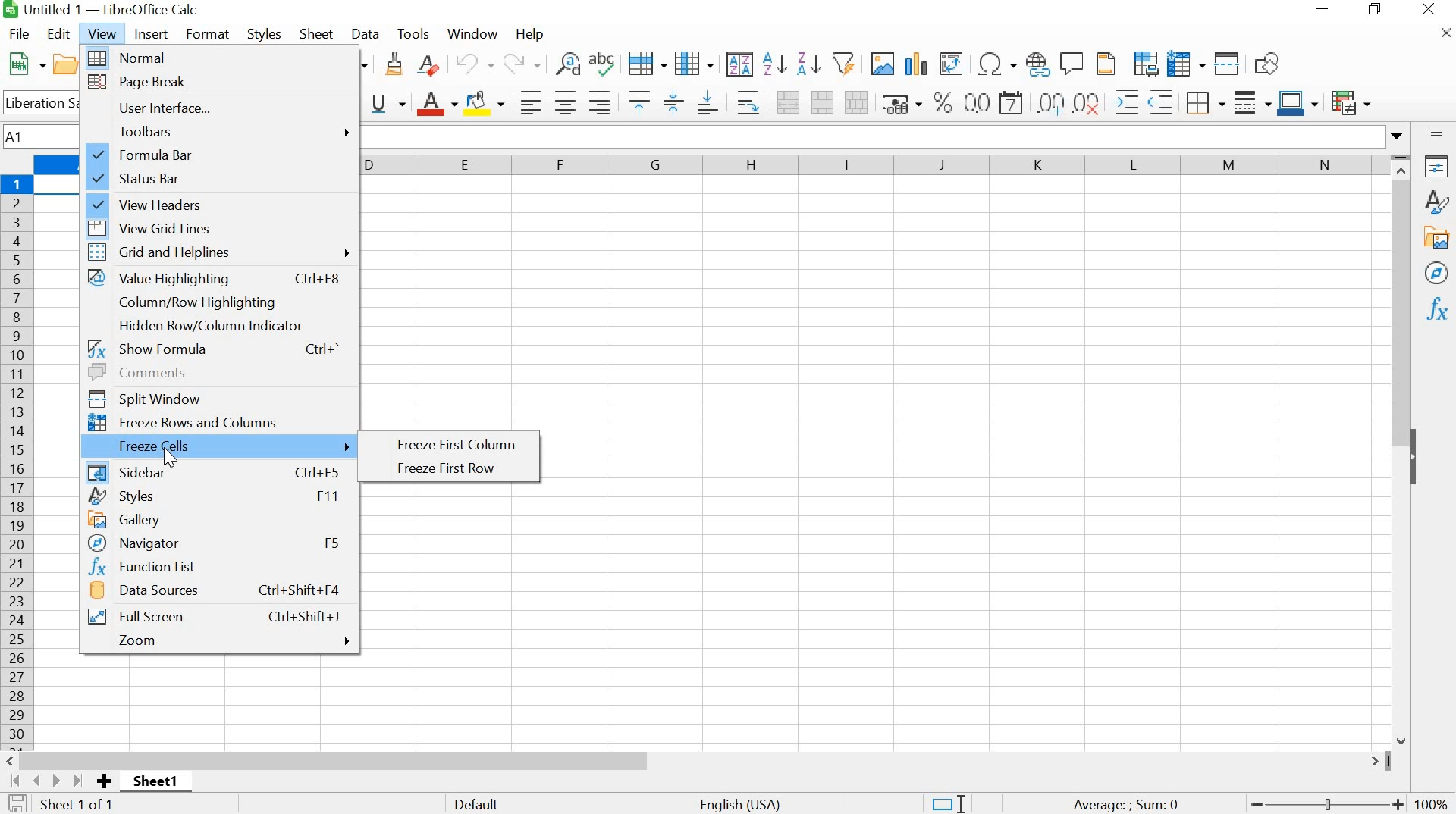  Describe the element at coordinates (218, 518) in the screenshot. I see `GALLERY` at that location.